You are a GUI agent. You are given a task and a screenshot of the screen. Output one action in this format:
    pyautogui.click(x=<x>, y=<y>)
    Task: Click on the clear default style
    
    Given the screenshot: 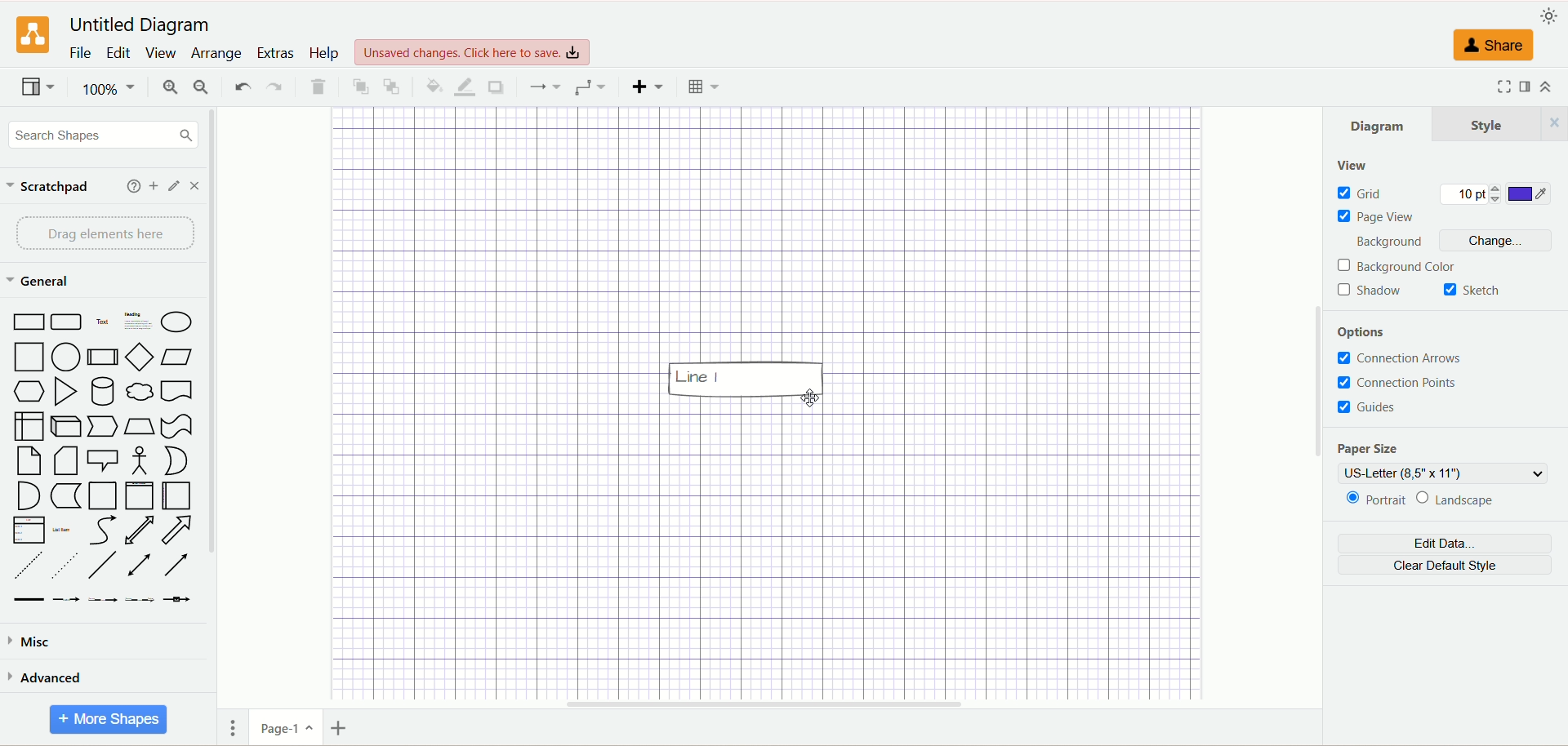 What is the action you would take?
    pyautogui.click(x=1446, y=566)
    